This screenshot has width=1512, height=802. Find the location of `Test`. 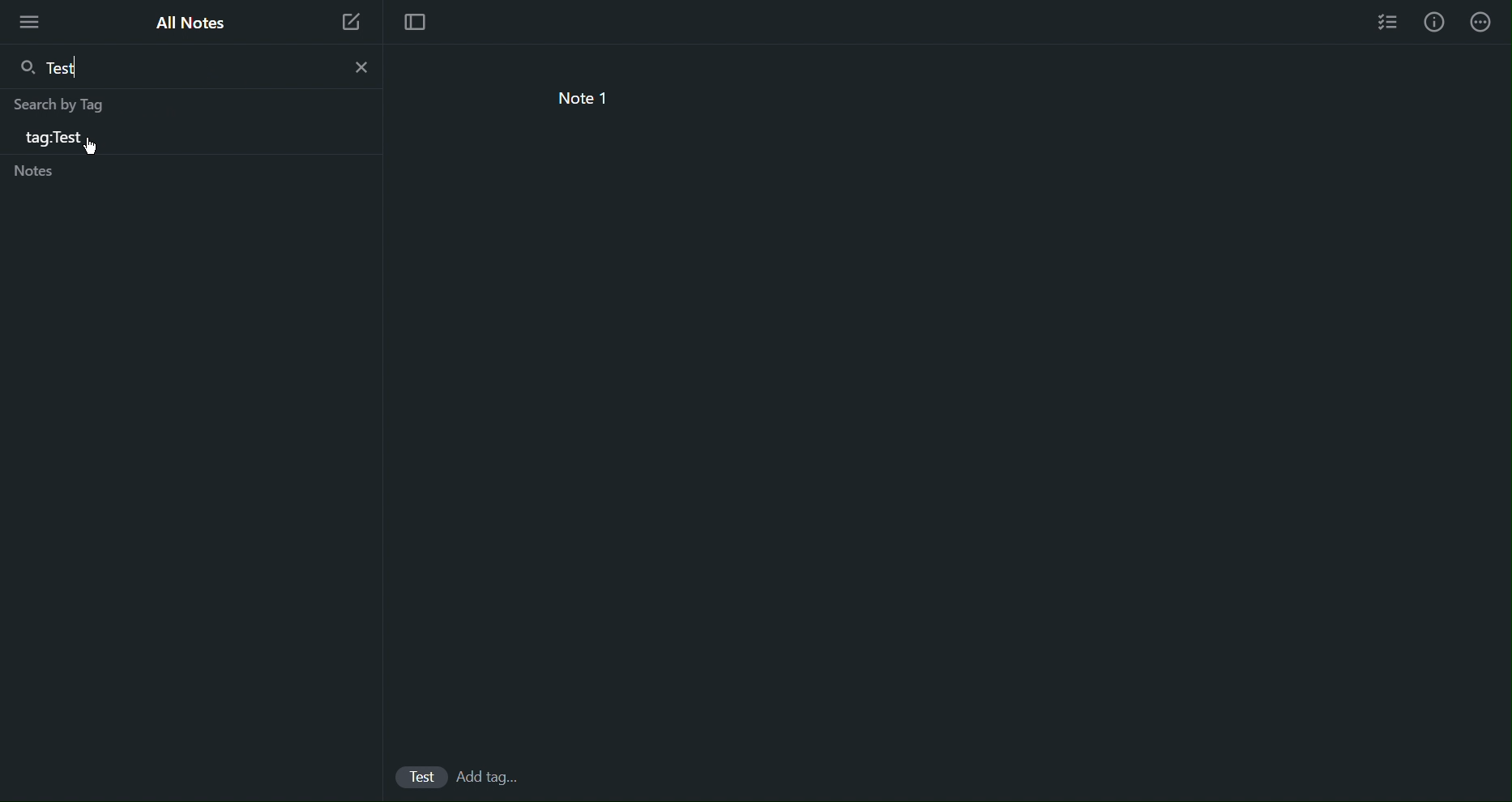

Test is located at coordinates (73, 65).